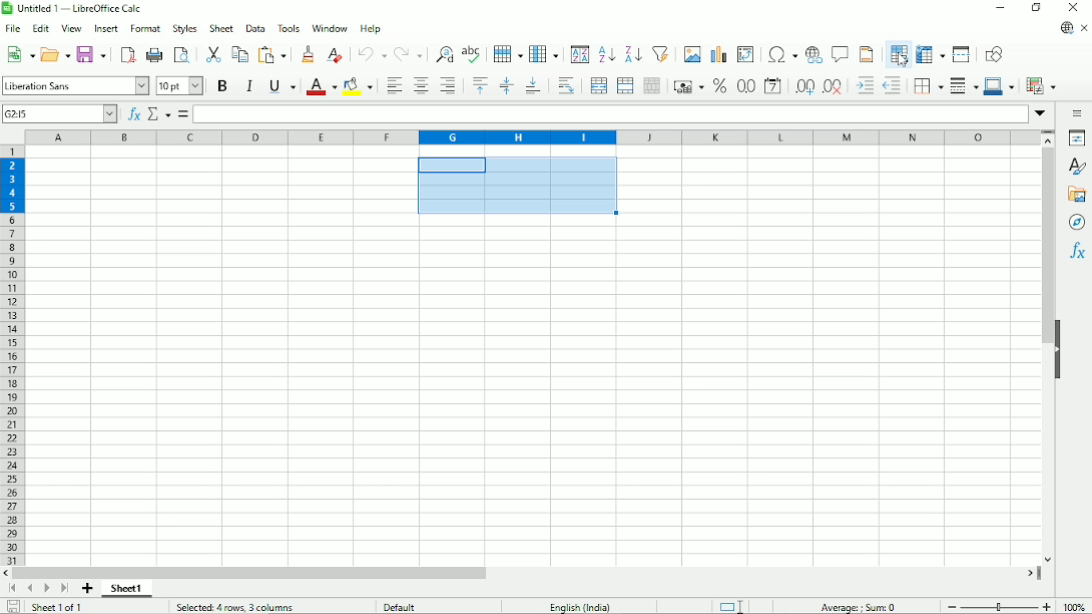 The width and height of the screenshot is (1092, 614). I want to click on Save, so click(12, 606).